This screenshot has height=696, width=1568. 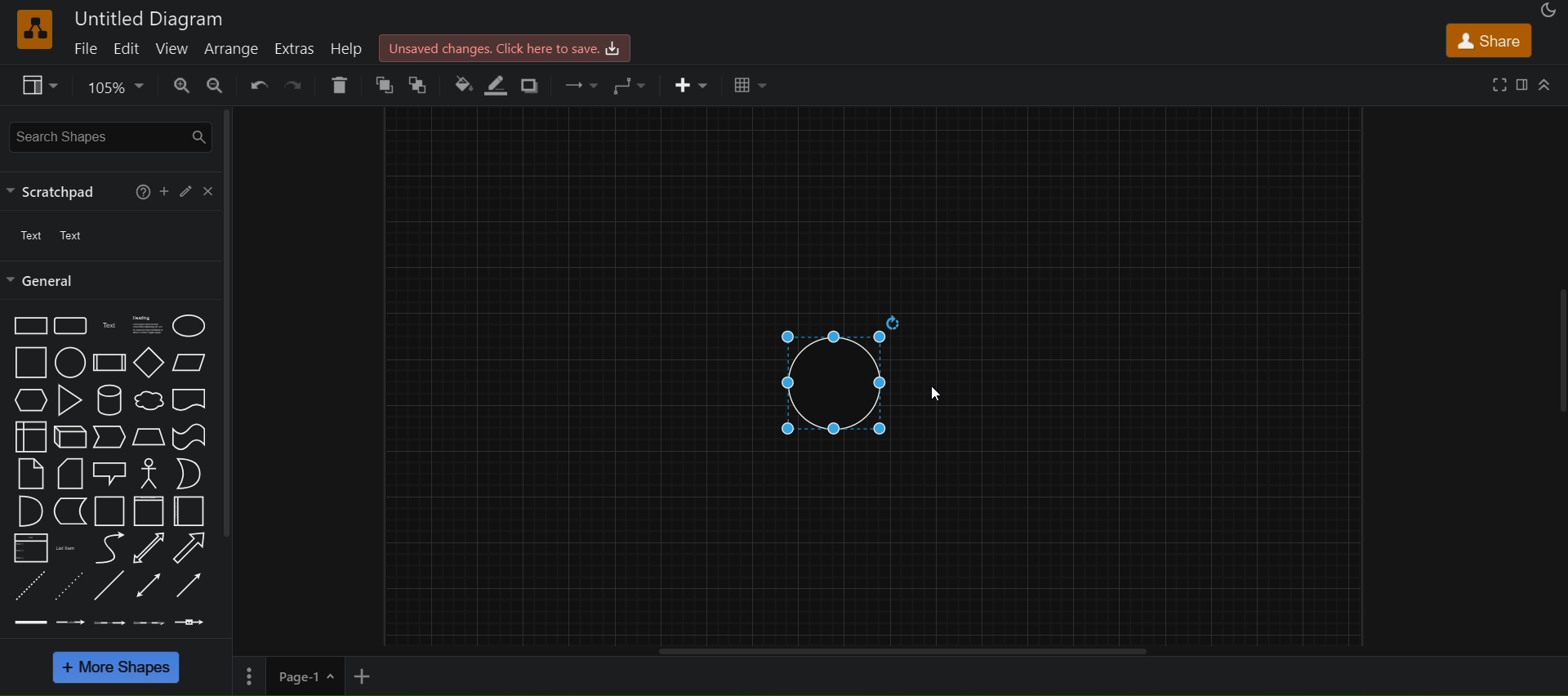 What do you see at coordinates (29, 364) in the screenshot?
I see `square` at bounding box center [29, 364].